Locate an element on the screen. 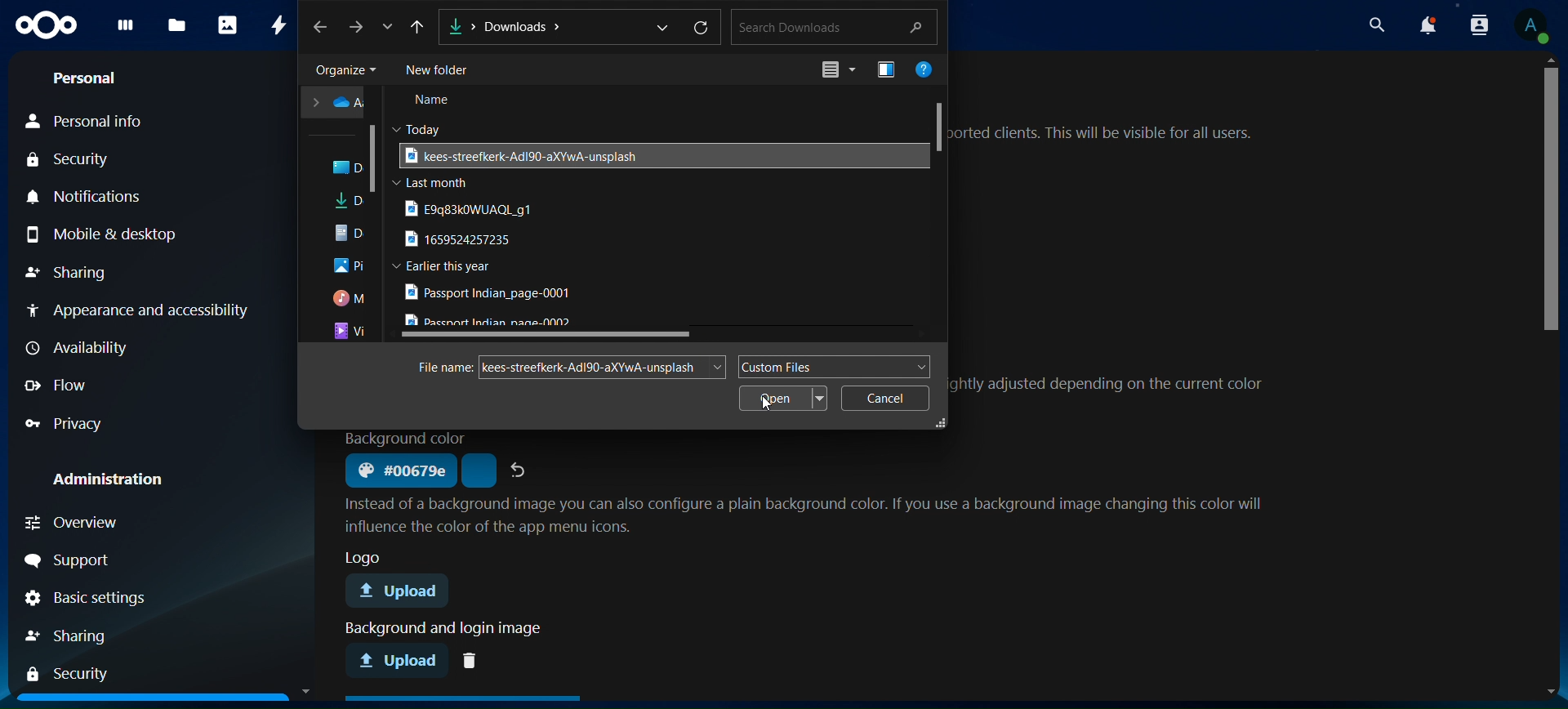  search is located at coordinates (1379, 25).